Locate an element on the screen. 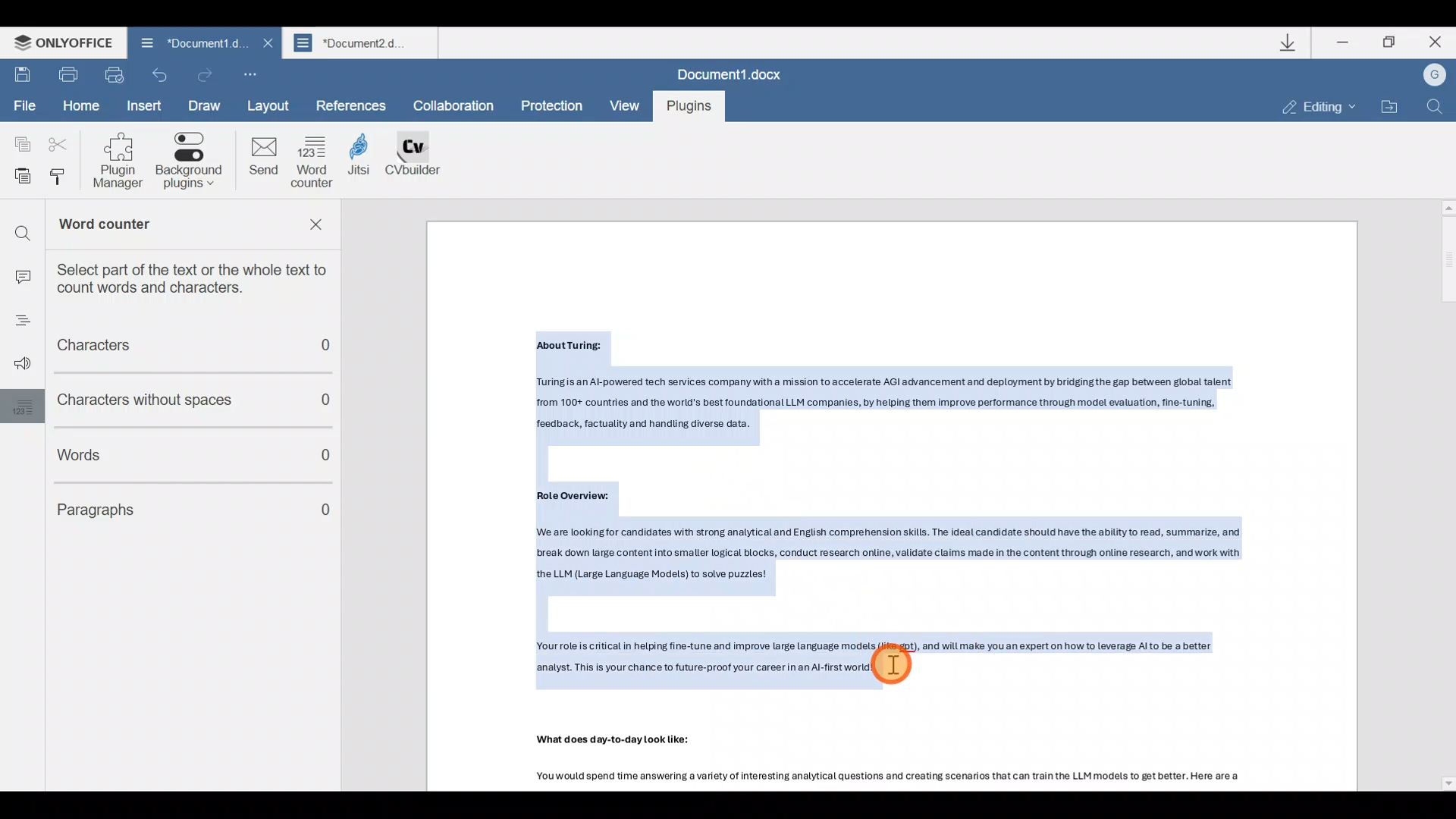 Image resolution: width=1456 pixels, height=819 pixels. Words count is located at coordinates (168, 451).